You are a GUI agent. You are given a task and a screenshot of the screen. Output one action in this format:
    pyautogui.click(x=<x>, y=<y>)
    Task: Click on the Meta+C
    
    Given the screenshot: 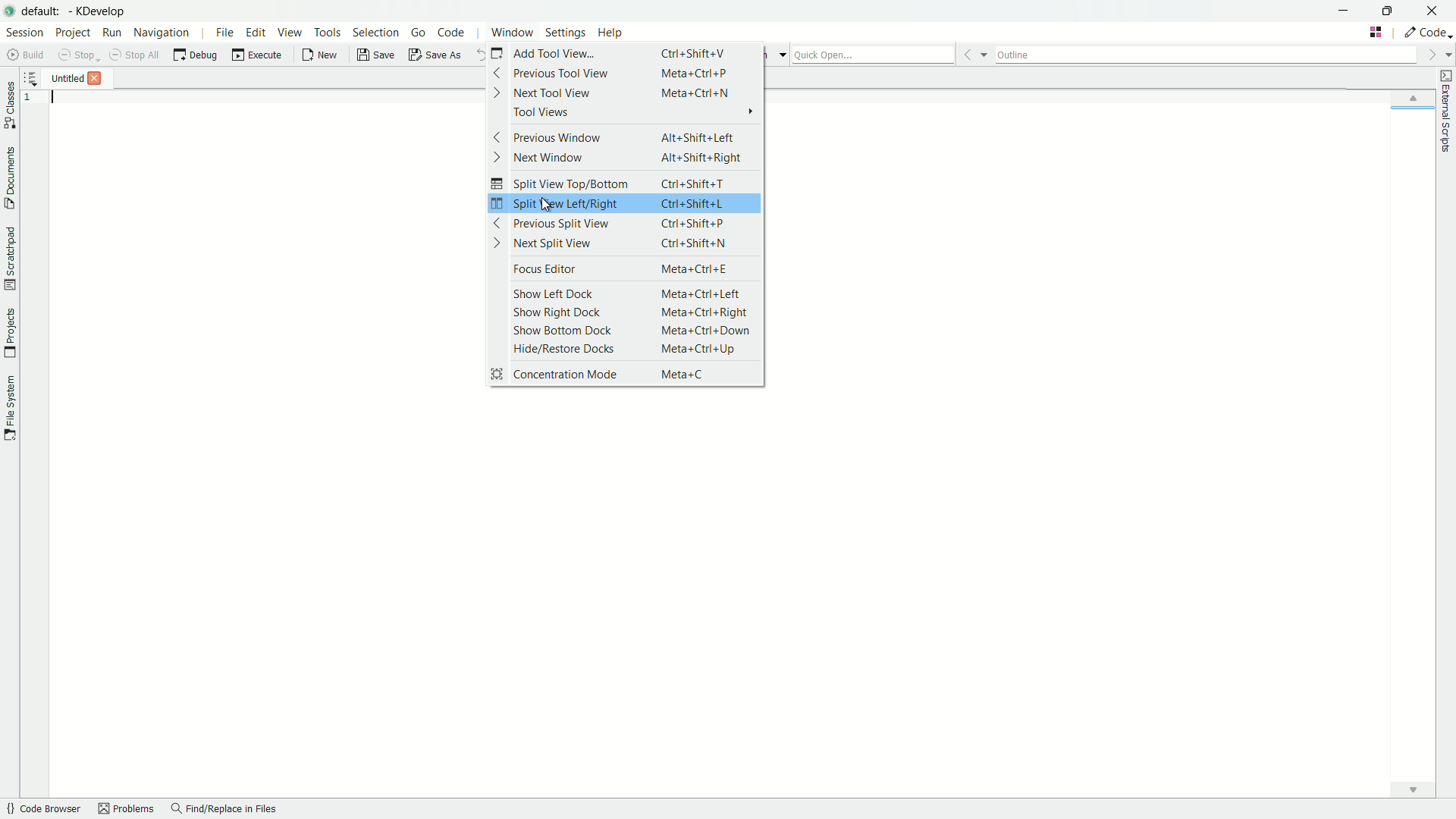 What is the action you would take?
    pyautogui.click(x=688, y=375)
    